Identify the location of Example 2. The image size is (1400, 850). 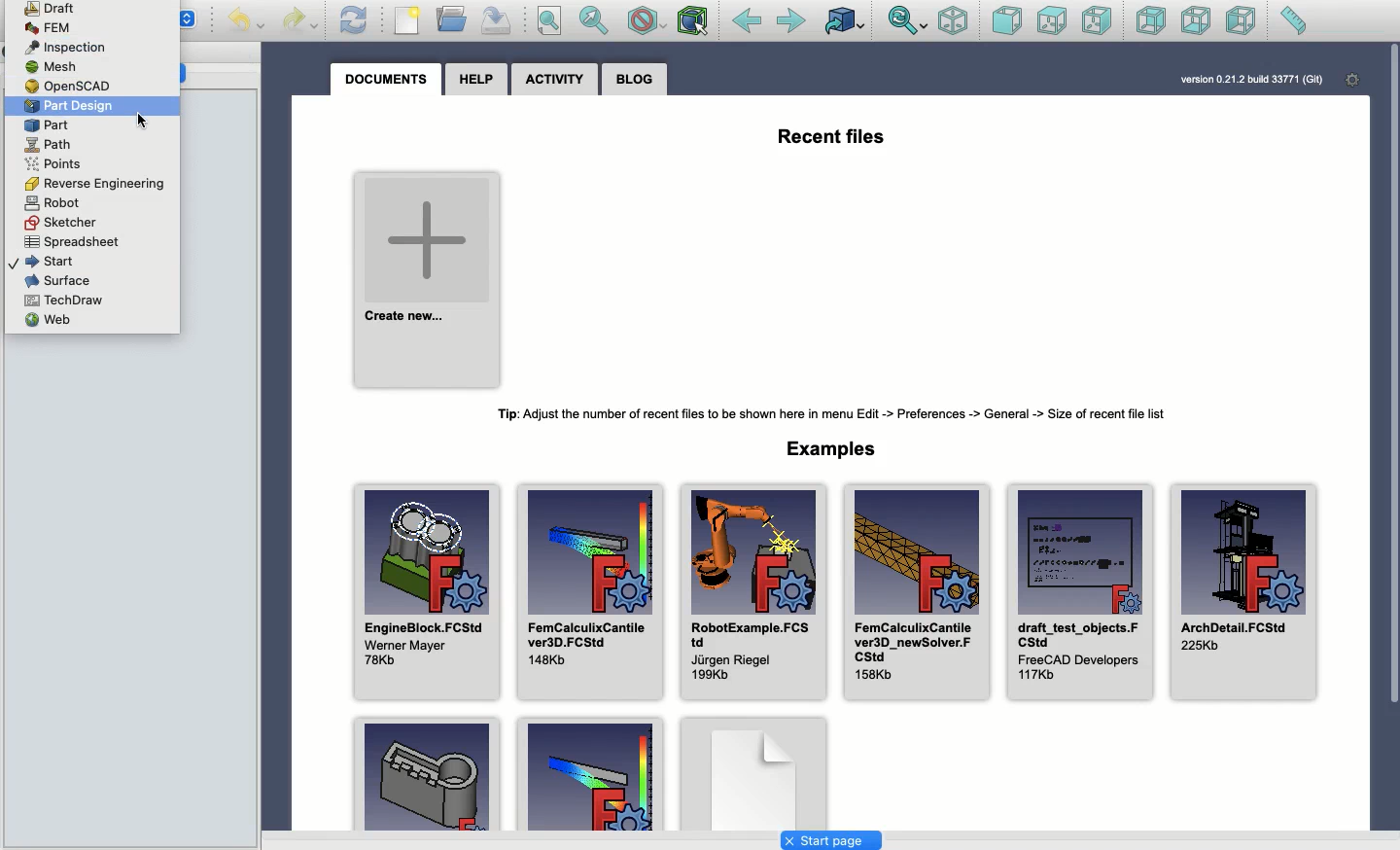
(591, 772).